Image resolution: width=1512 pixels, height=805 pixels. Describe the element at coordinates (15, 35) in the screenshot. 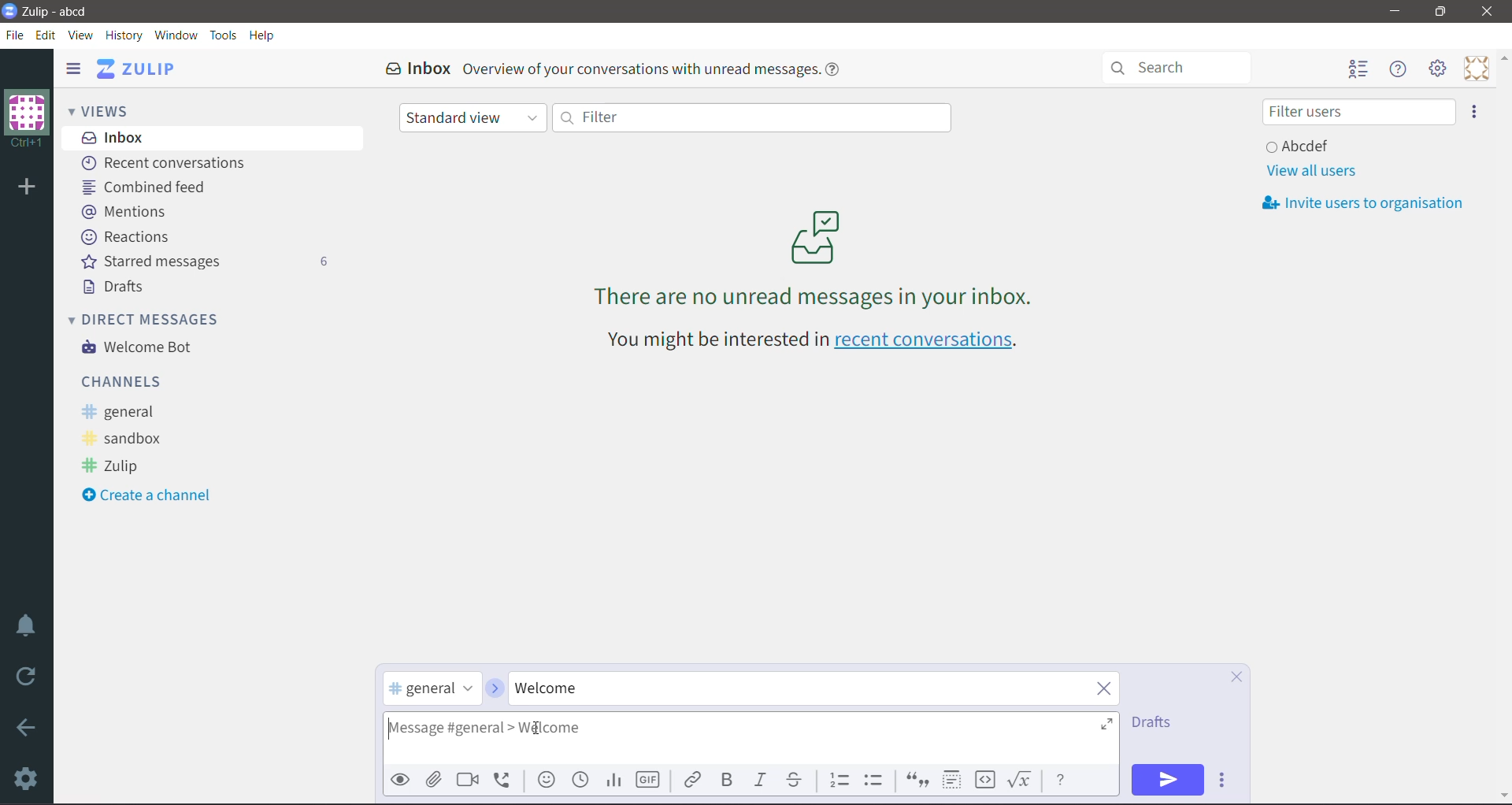

I see `File` at that location.